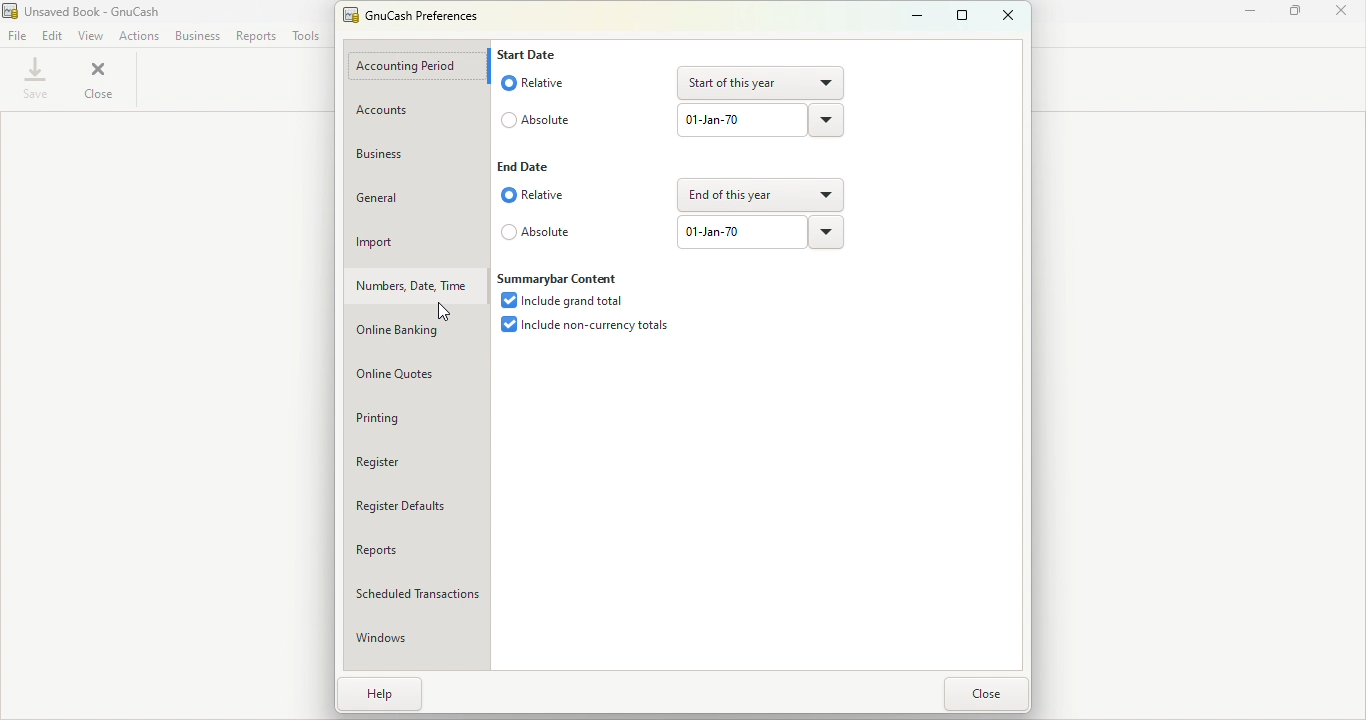 This screenshot has width=1366, height=720. What do you see at coordinates (418, 193) in the screenshot?
I see `General` at bounding box center [418, 193].